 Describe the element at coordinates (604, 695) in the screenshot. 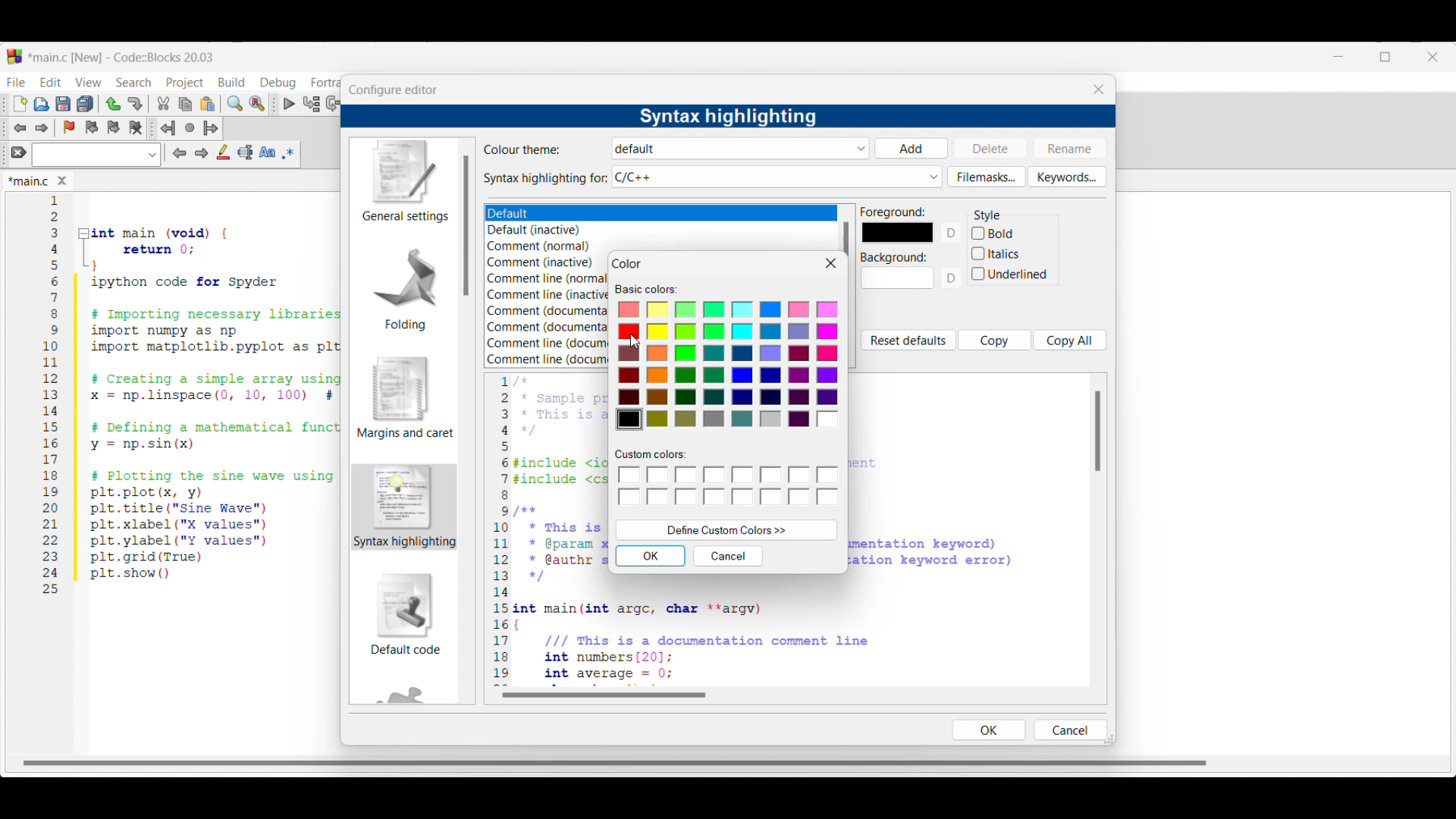

I see `Horizontal slide bar` at that location.